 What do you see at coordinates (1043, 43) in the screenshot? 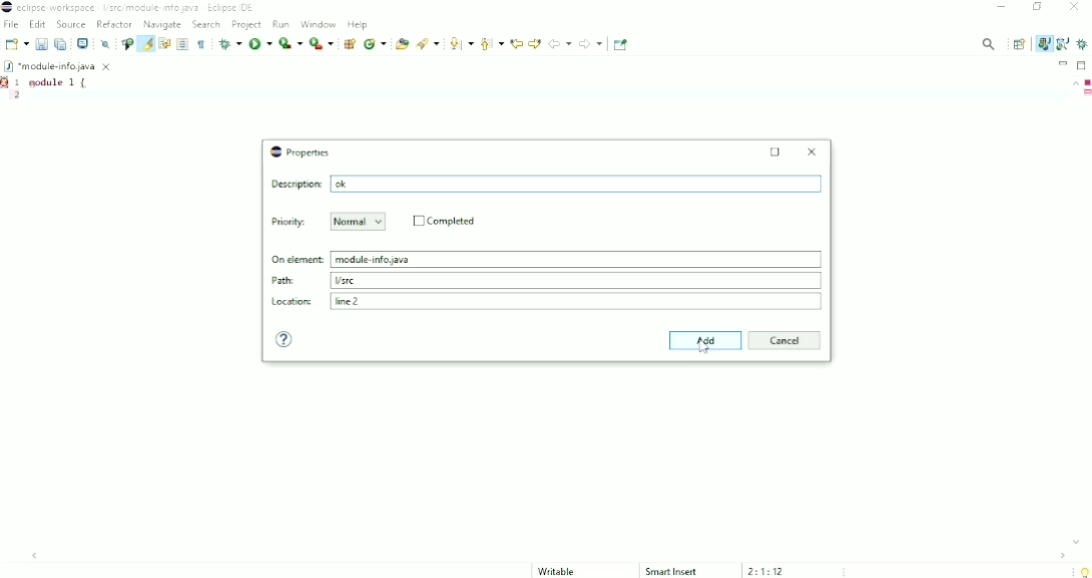
I see `Java` at bounding box center [1043, 43].